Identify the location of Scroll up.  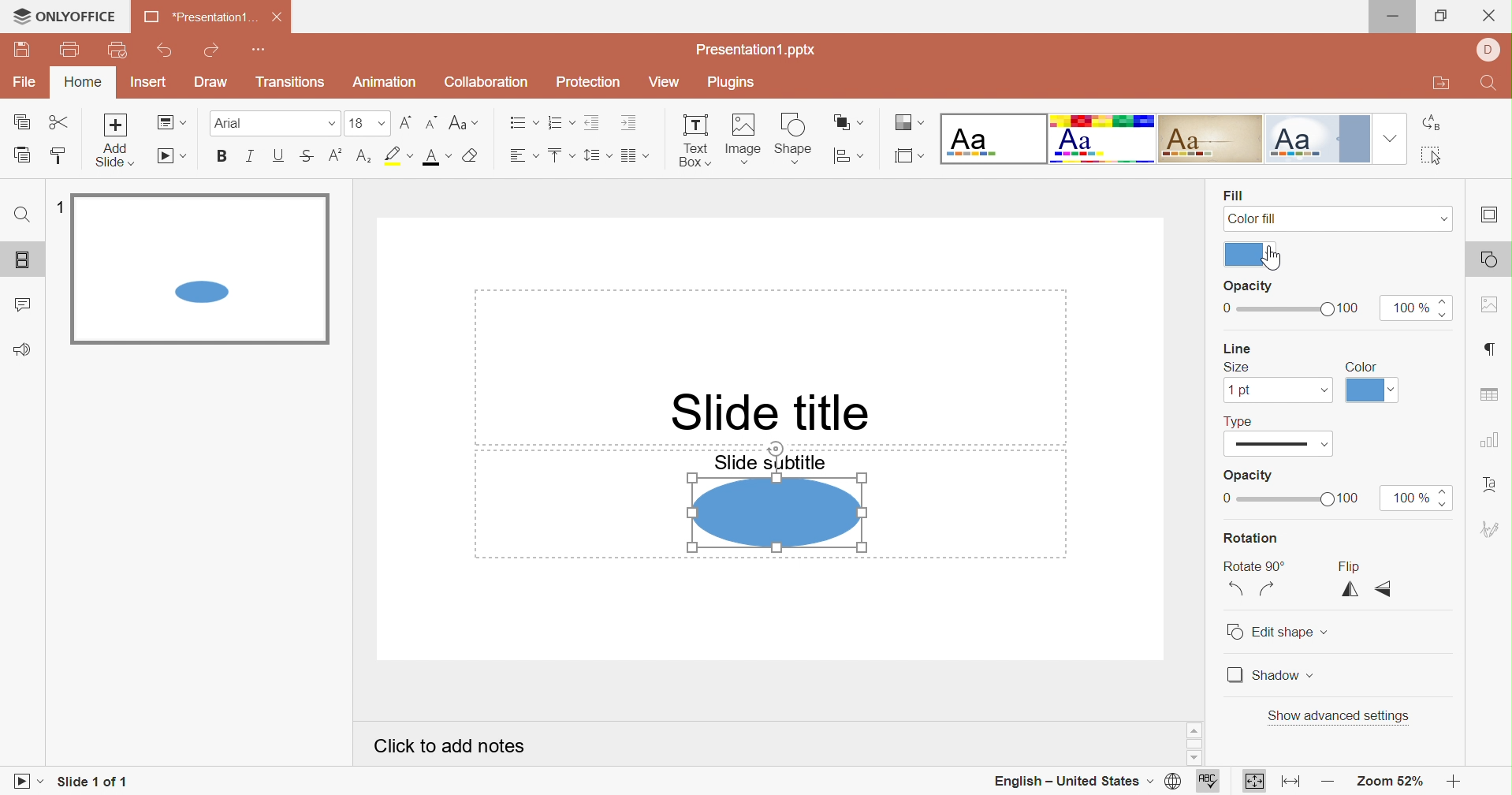
(1199, 729).